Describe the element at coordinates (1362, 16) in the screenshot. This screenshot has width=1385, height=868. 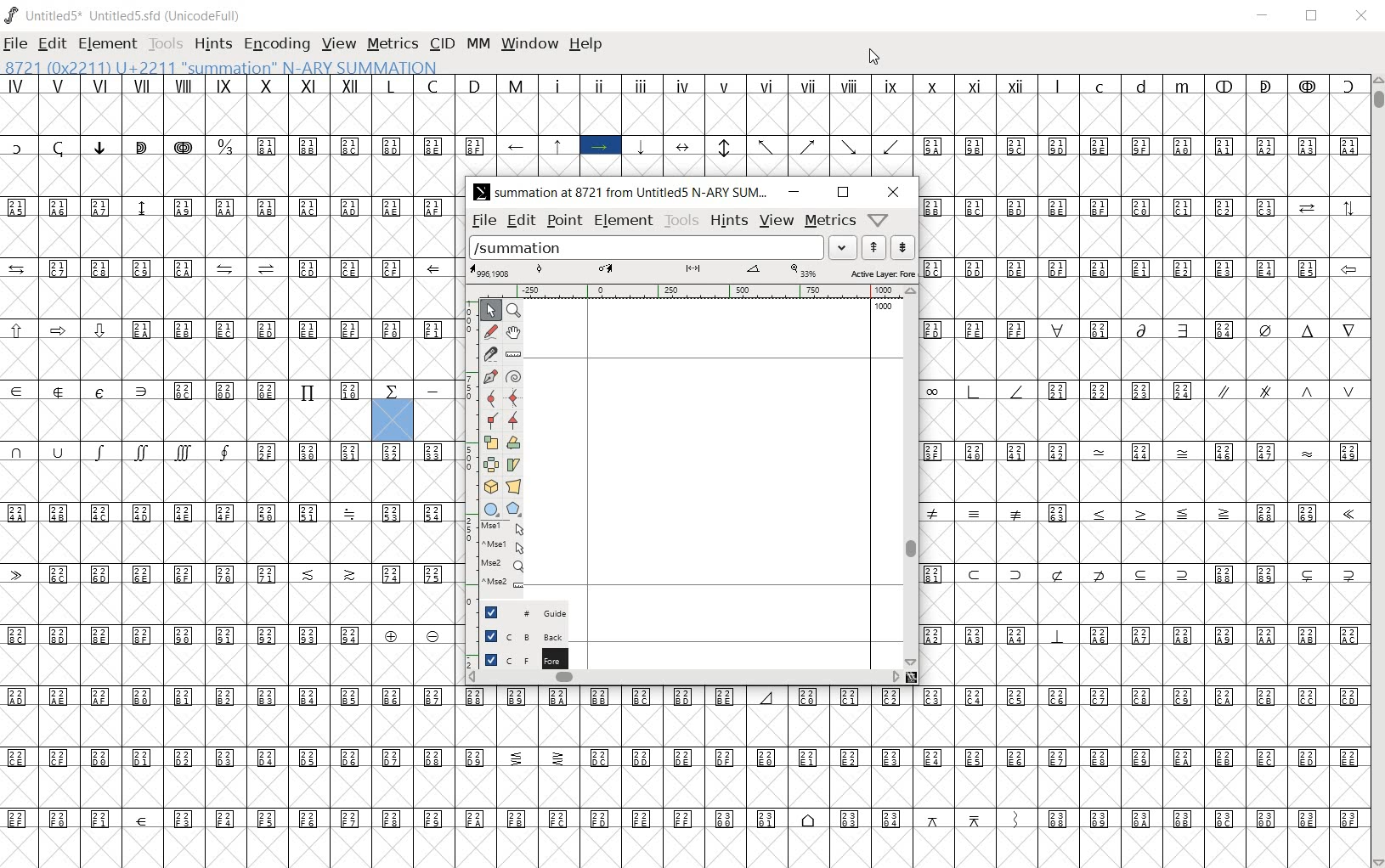
I see `CLOSE` at that location.